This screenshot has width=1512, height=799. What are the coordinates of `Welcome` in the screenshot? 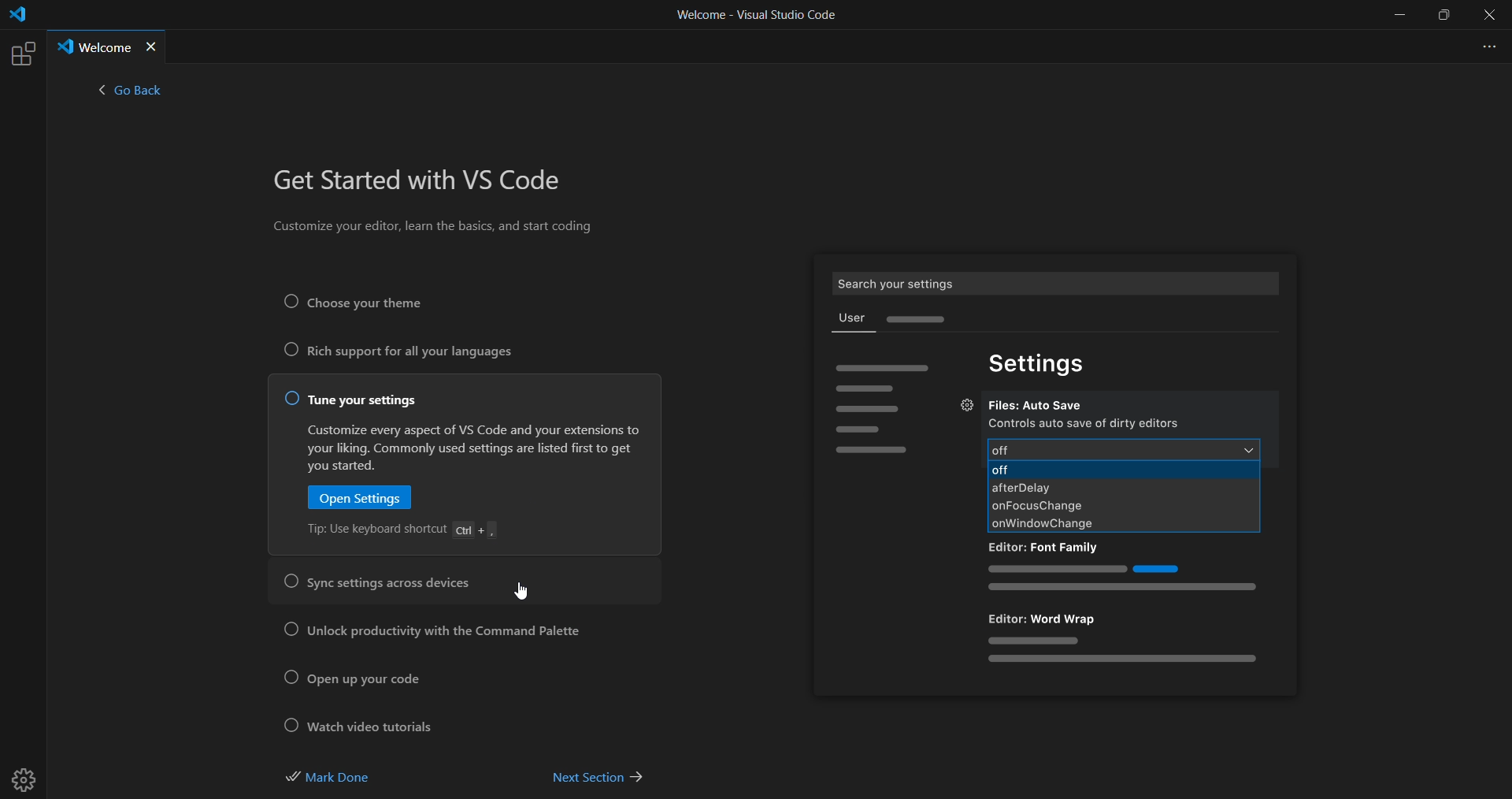 It's located at (93, 46).